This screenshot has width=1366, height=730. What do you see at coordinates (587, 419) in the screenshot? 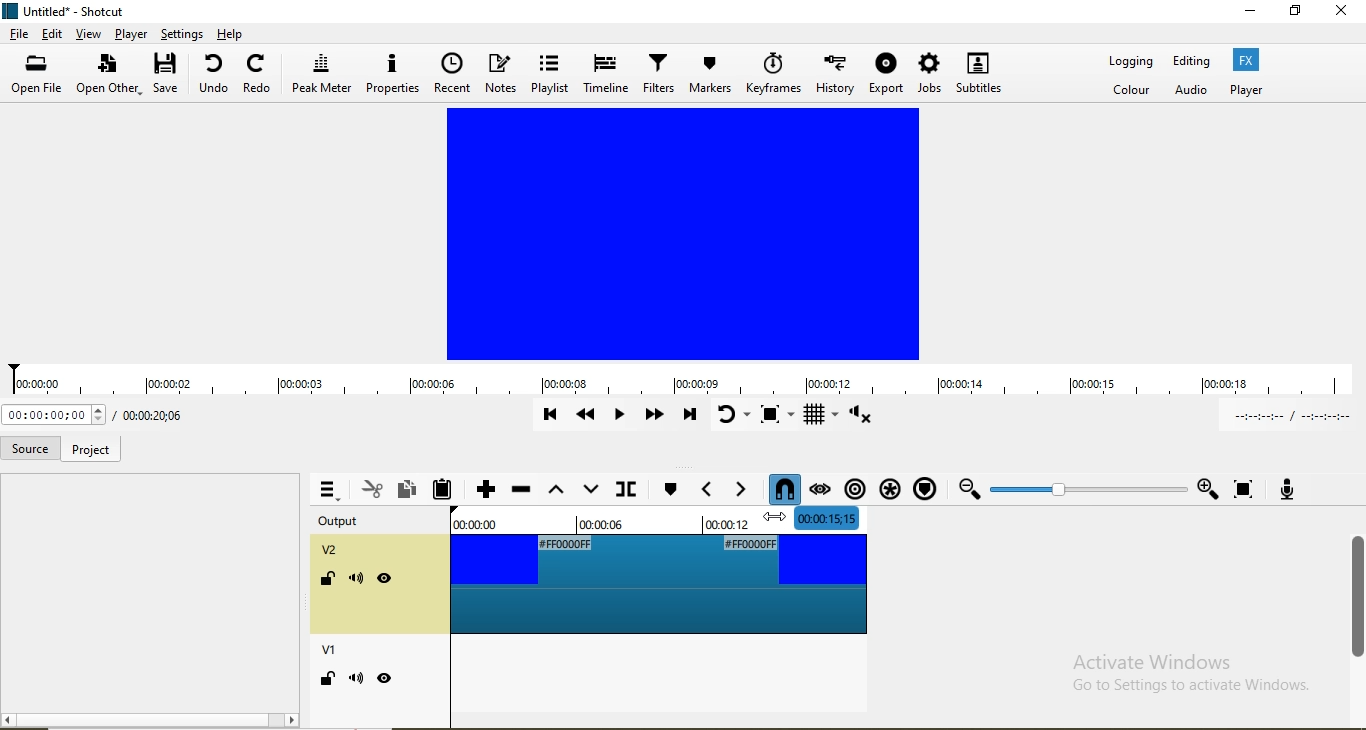
I see `Play quickly backwards` at bounding box center [587, 419].